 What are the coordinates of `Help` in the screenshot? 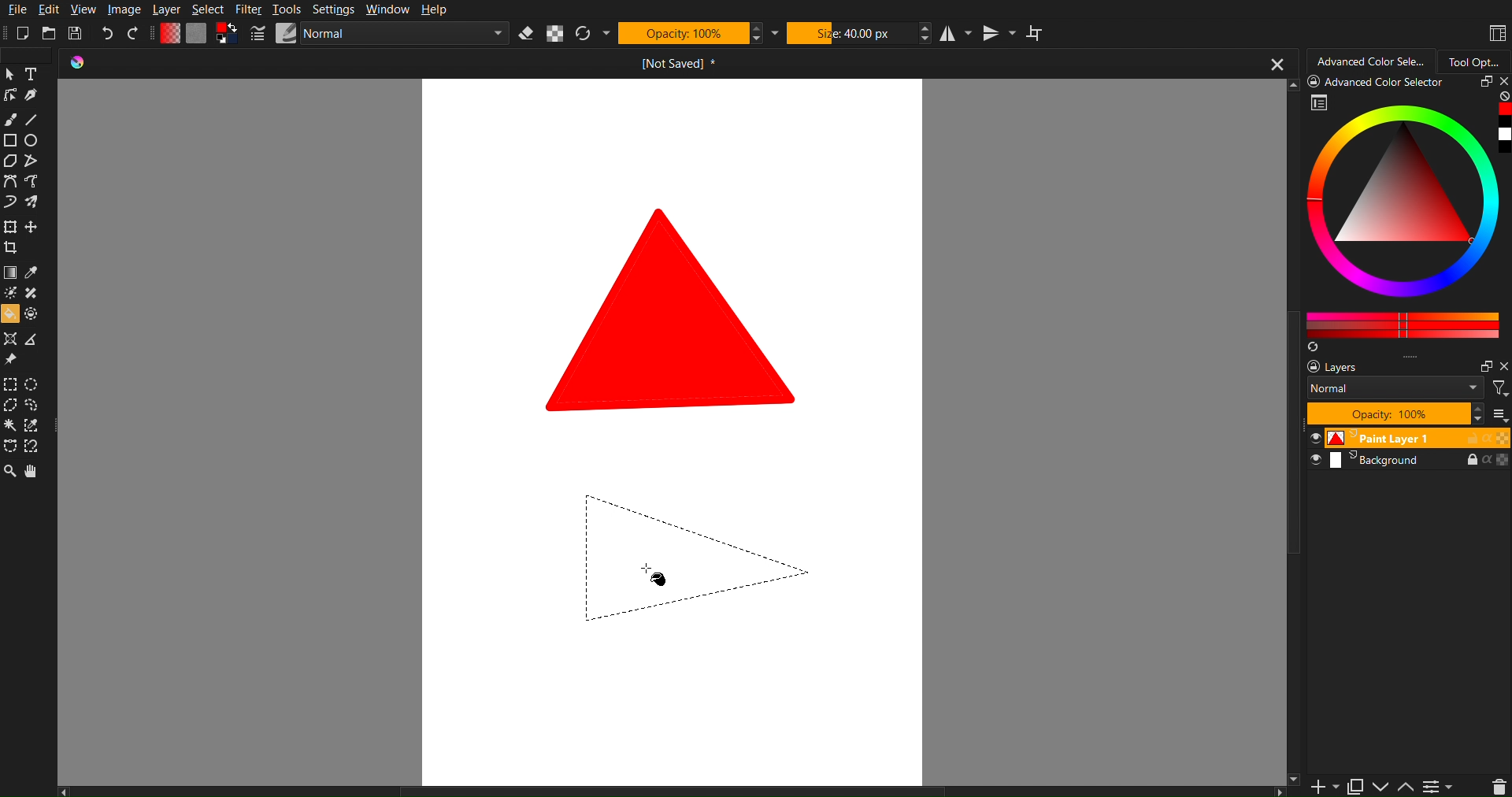 It's located at (435, 10).